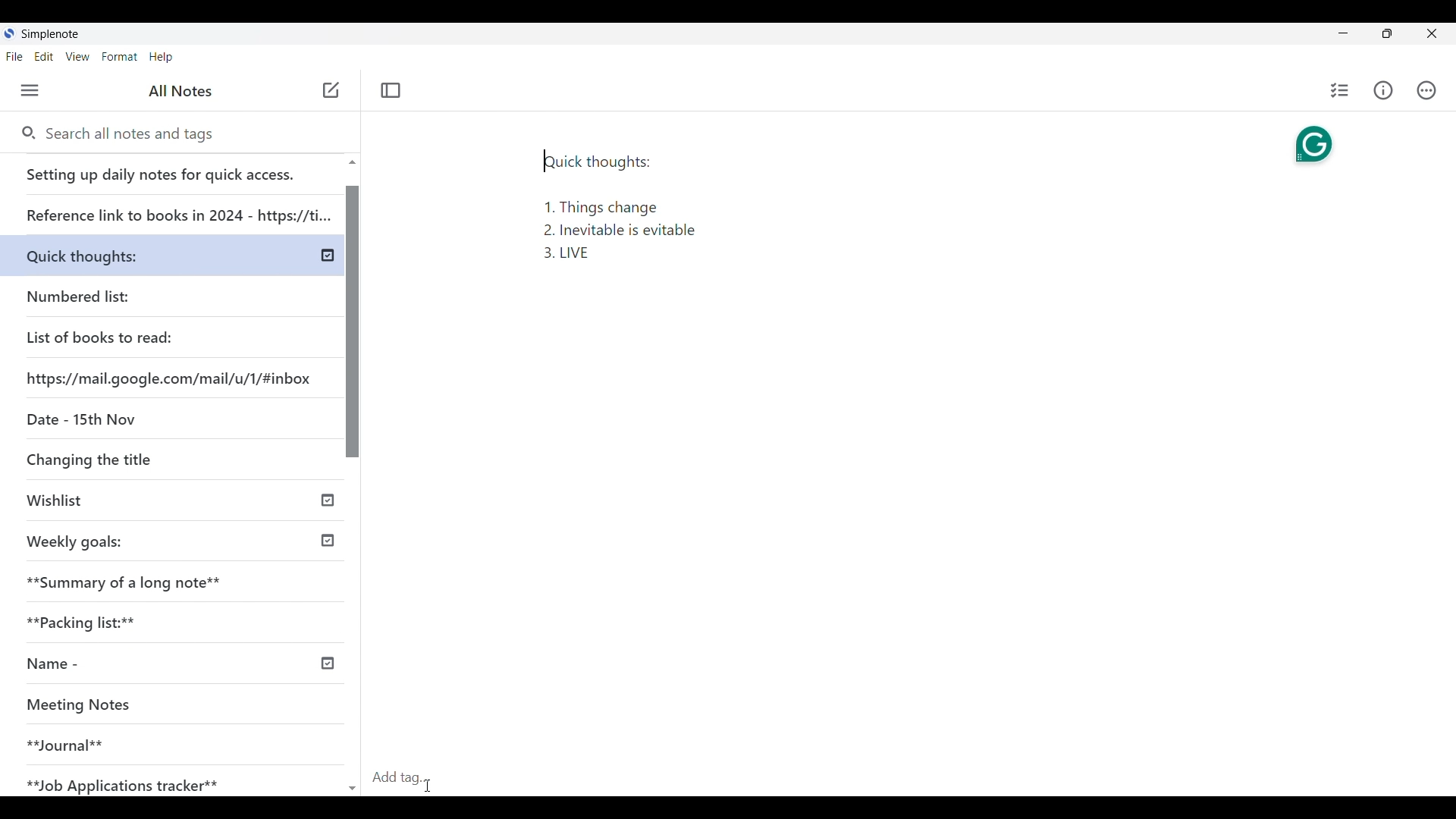  I want to click on Name, so click(108, 664).